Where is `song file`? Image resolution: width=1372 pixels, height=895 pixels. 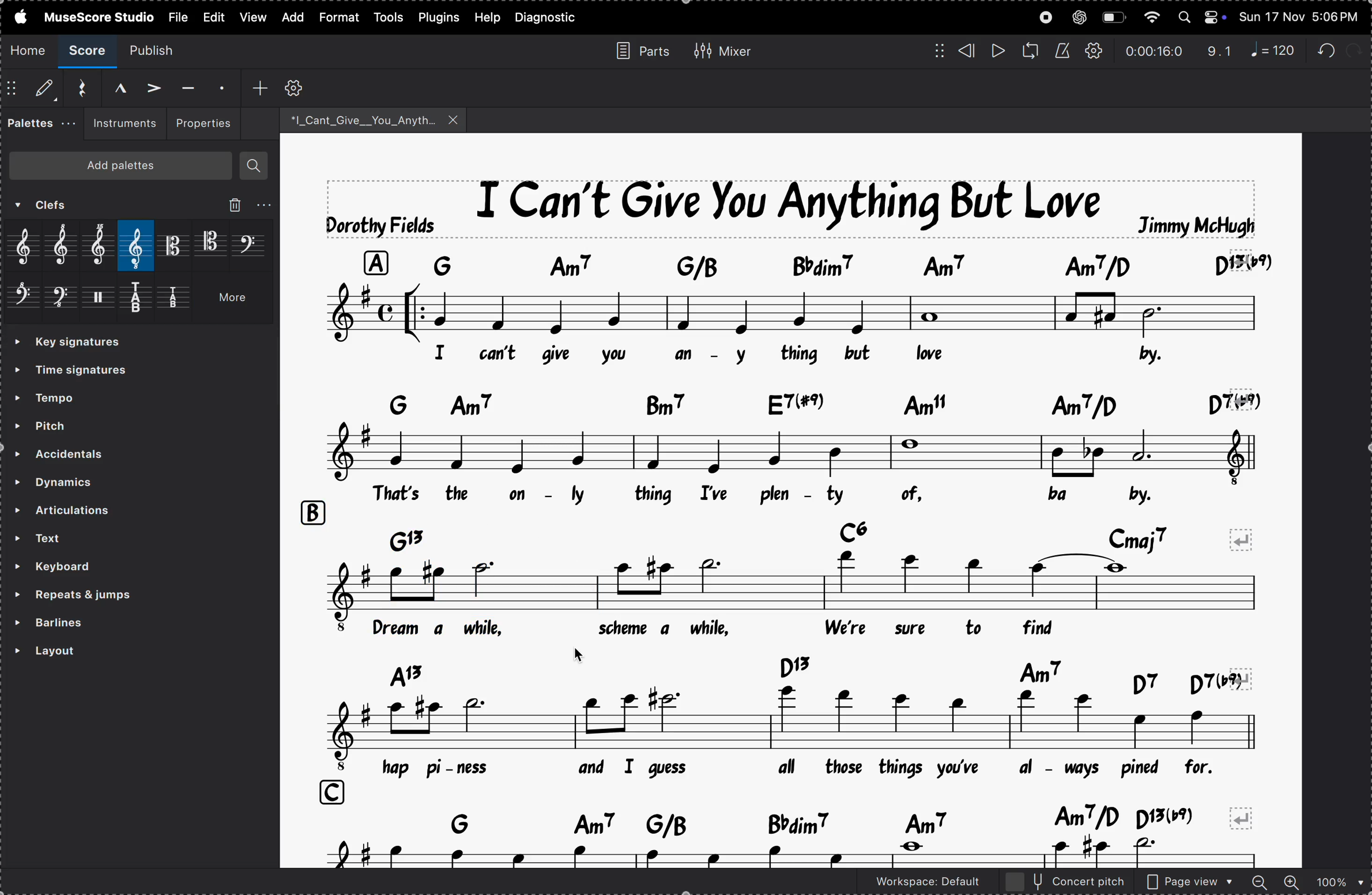 song file is located at coordinates (374, 119).